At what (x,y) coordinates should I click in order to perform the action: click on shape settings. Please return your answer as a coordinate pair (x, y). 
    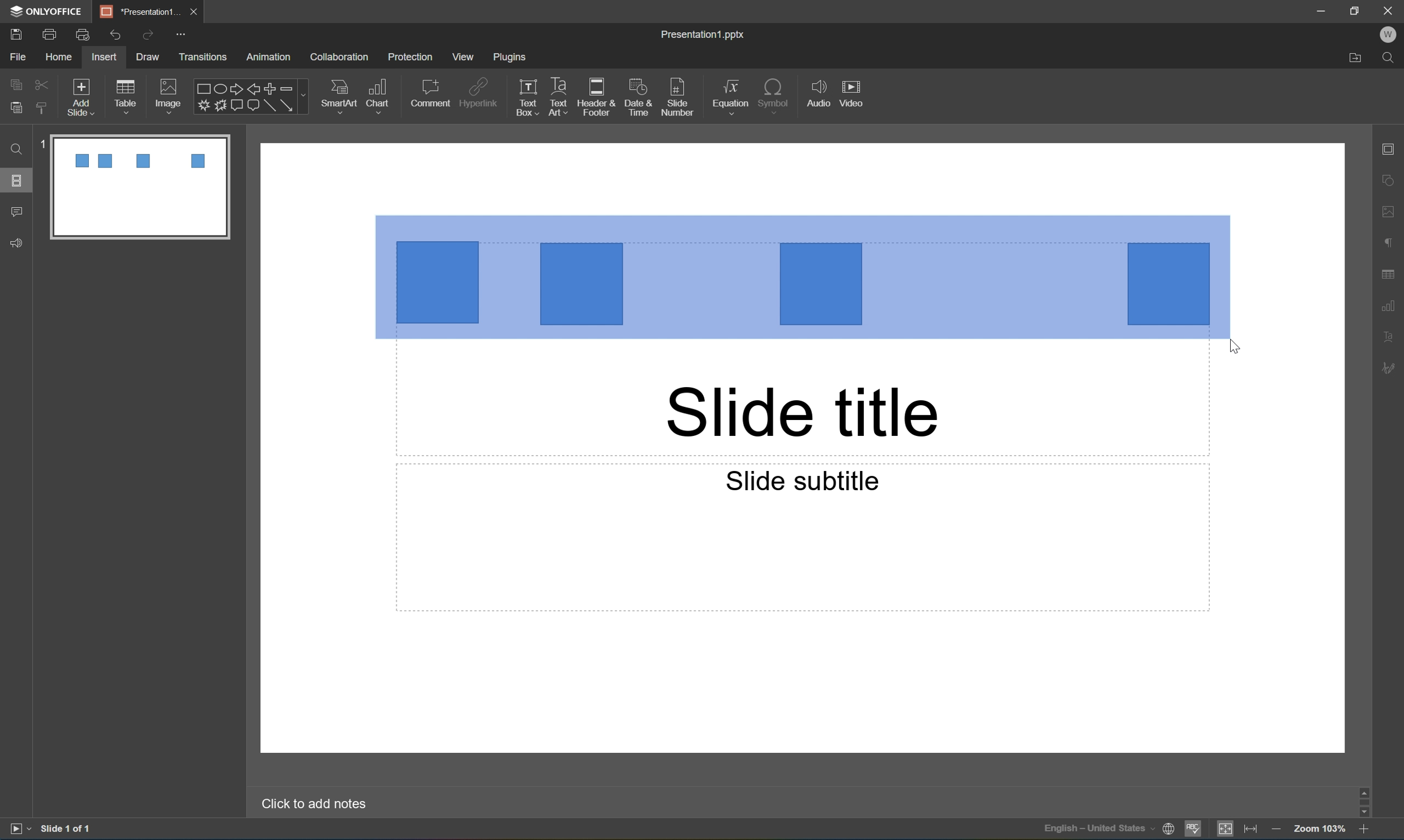
    Looking at the image, I should click on (1393, 180).